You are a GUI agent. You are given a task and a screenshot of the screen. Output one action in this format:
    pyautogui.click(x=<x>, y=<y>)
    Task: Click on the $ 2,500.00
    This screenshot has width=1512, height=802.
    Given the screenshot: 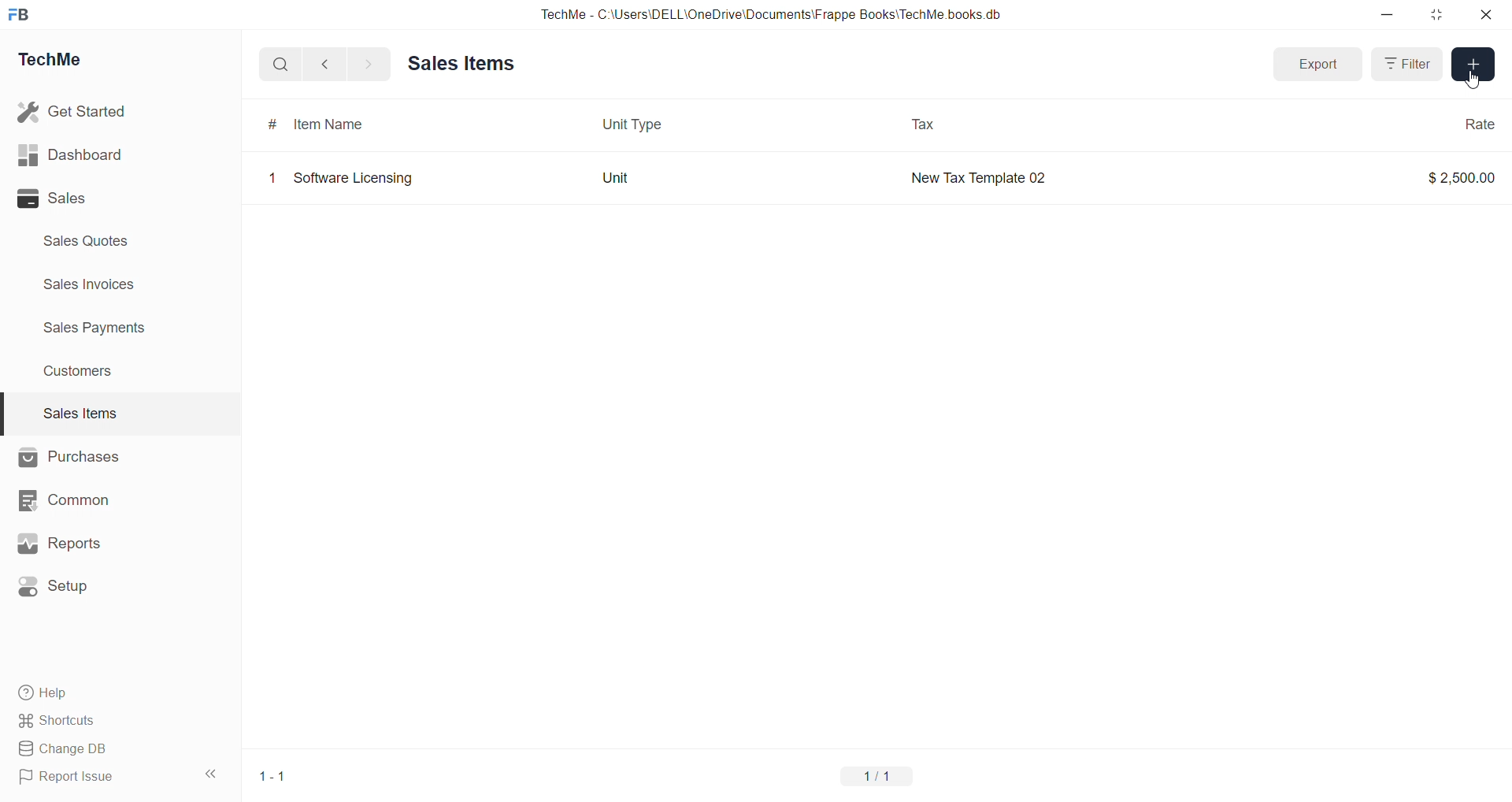 What is the action you would take?
    pyautogui.click(x=1459, y=177)
    